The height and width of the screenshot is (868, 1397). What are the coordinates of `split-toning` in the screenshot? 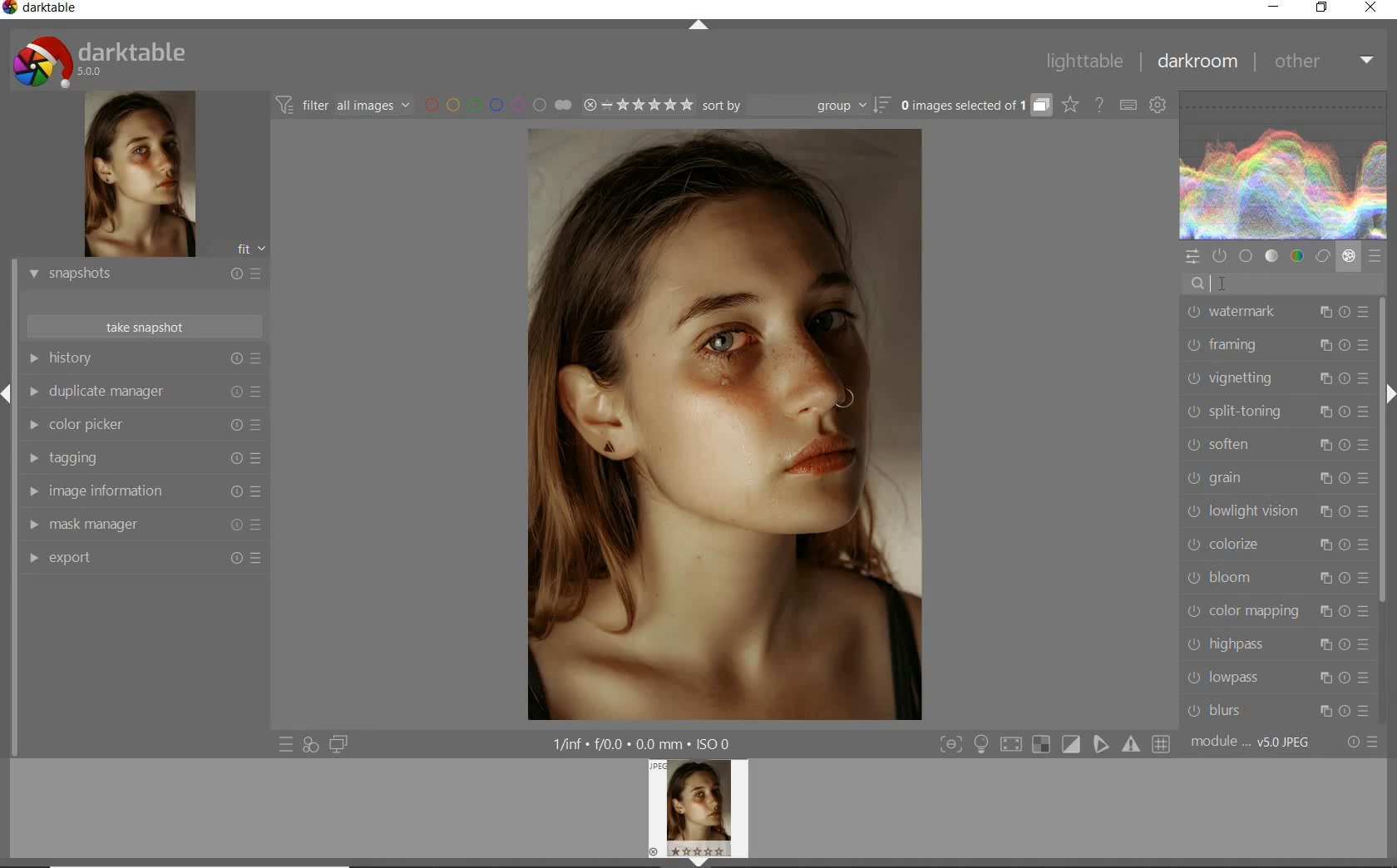 It's located at (1276, 410).